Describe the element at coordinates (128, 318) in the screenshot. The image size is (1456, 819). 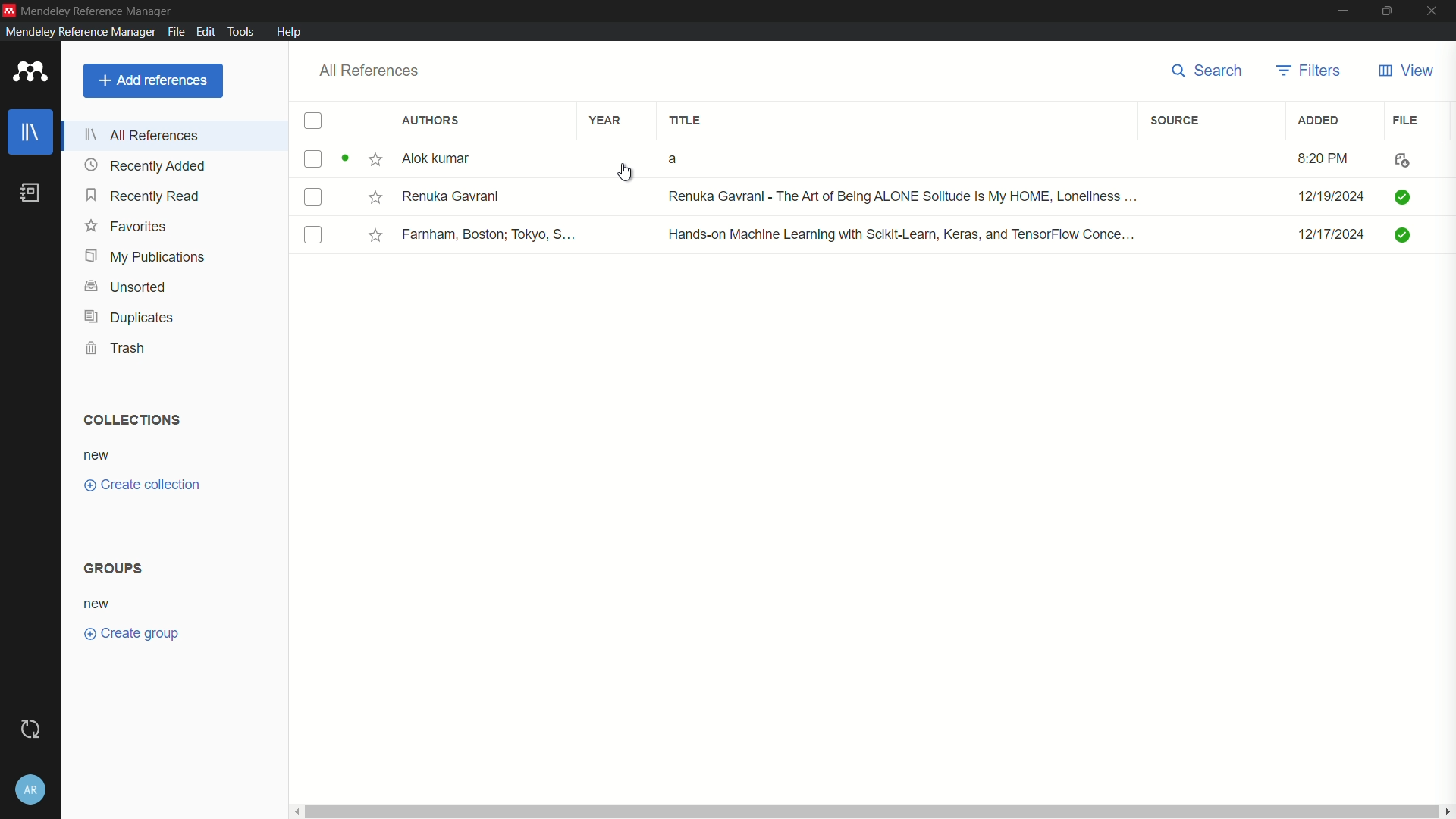
I see `duplicates` at that location.